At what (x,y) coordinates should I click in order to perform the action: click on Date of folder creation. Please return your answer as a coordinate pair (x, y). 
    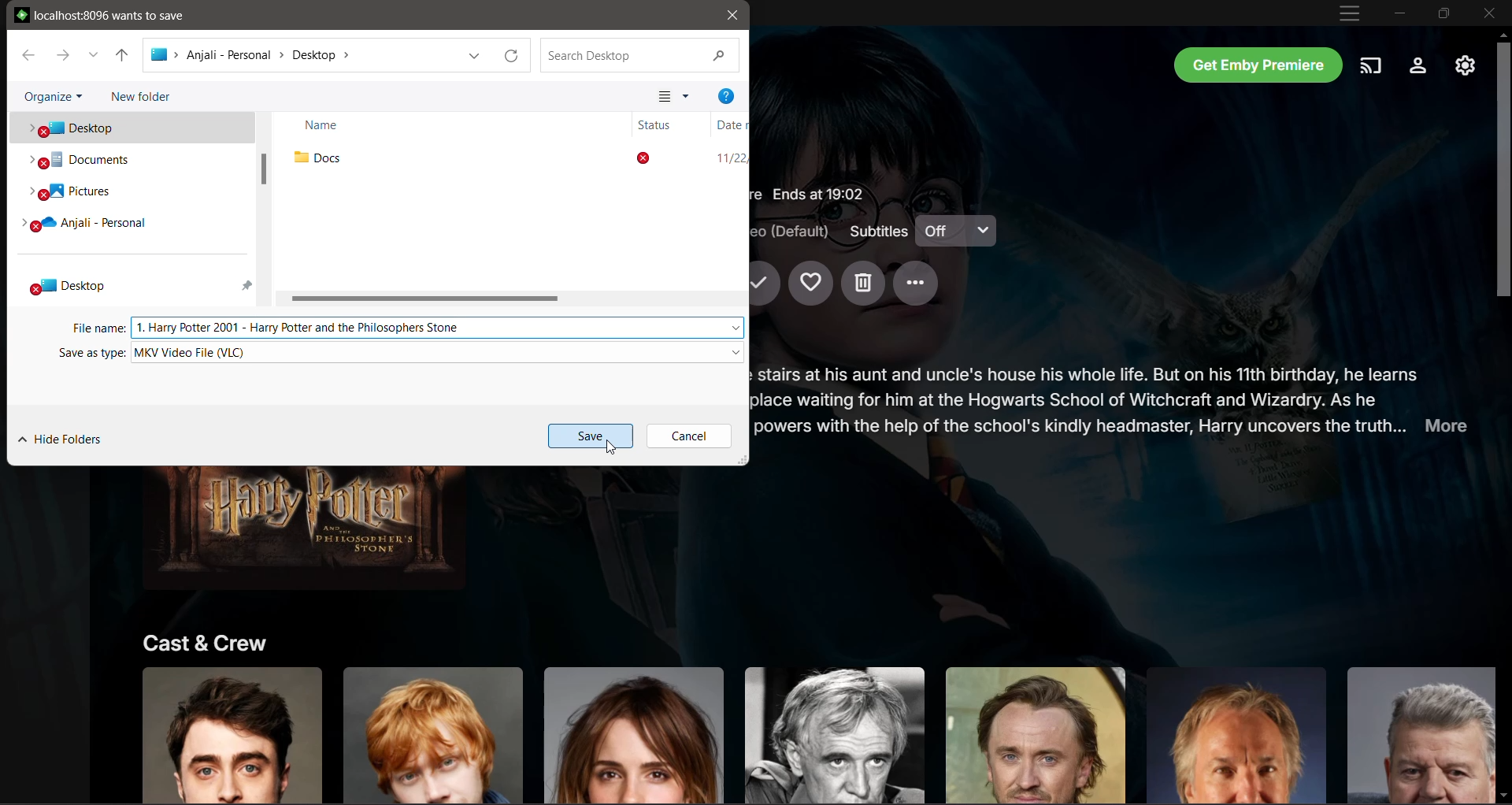
    Looking at the image, I should click on (732, 158).